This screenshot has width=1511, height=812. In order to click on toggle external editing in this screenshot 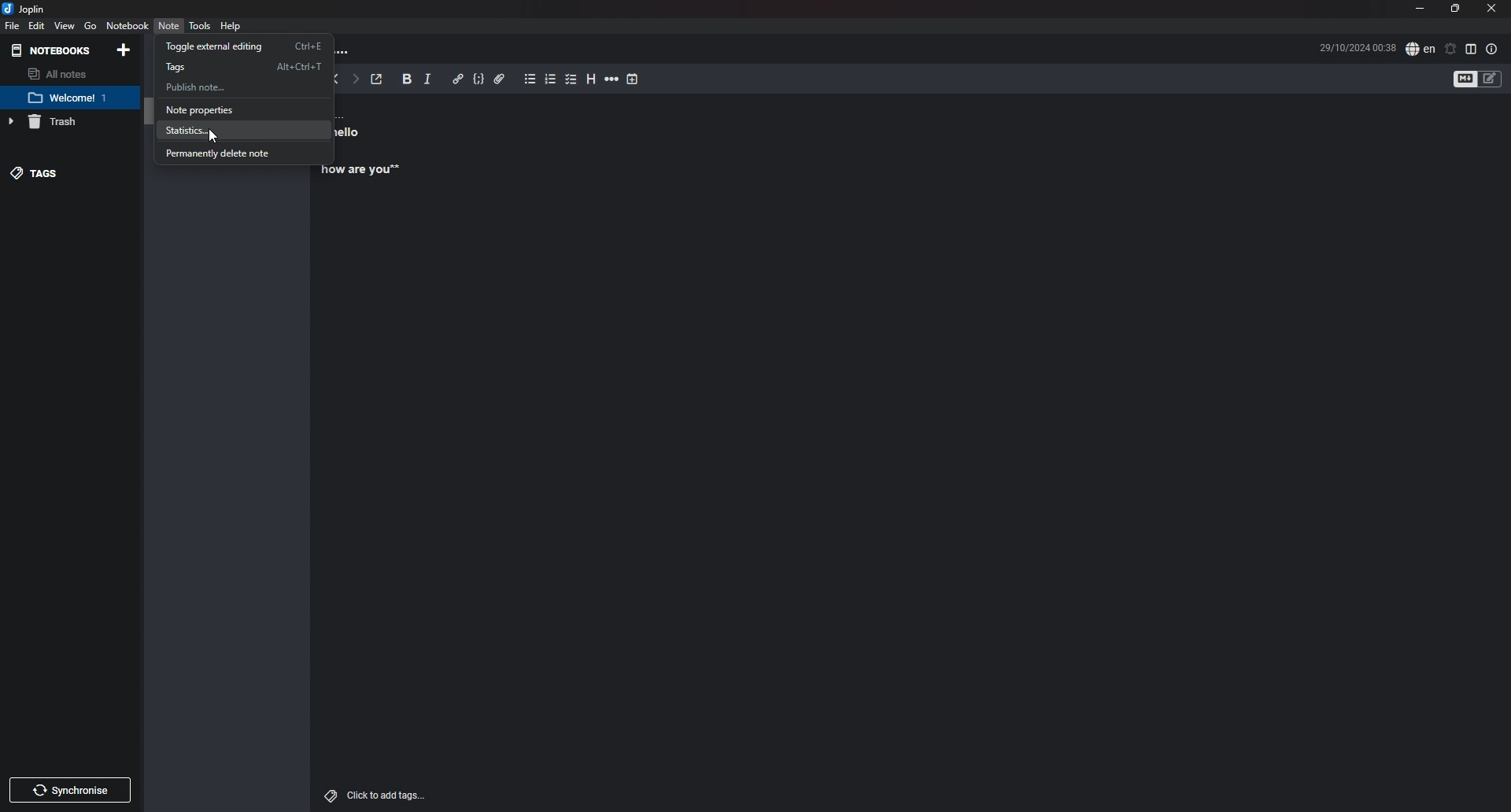, I will do `click(243, 46)`.